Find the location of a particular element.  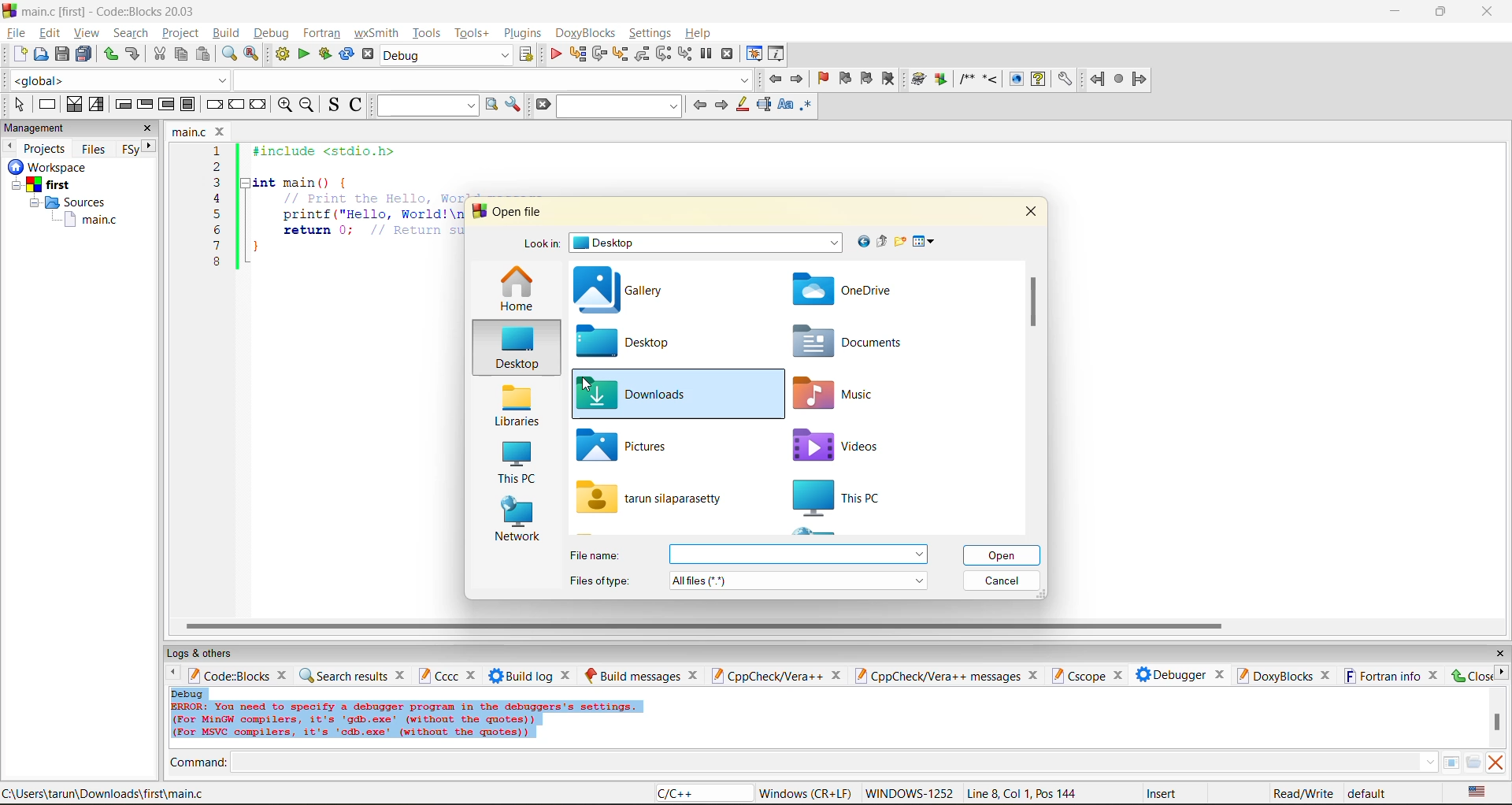

cppcheck/vera++ is located at coordinates (765, 677).